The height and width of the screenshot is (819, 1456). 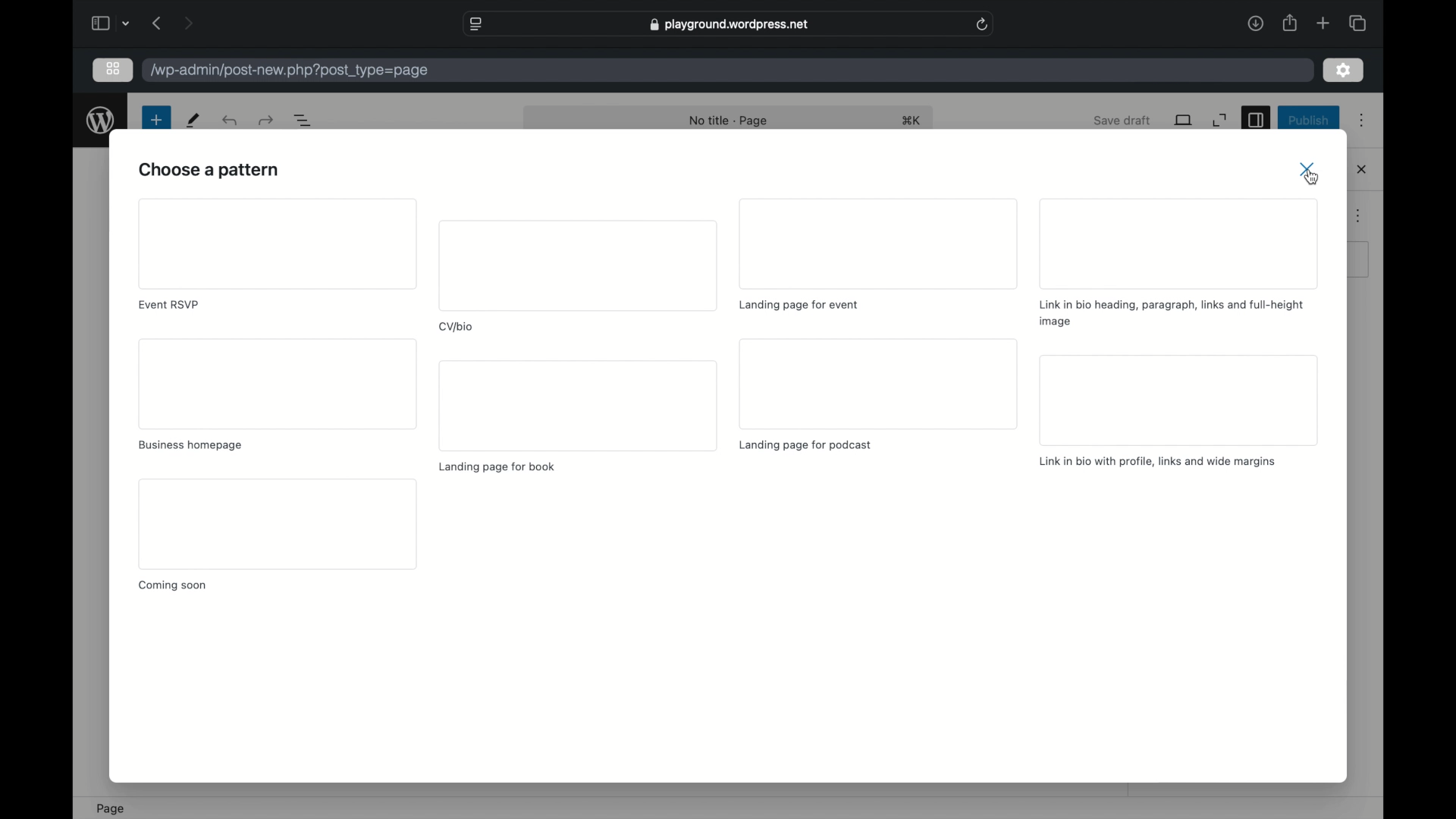 What do you see at coordinates (157, 120) in the screenshot?
I see `new` at bounding box center [157, 120].